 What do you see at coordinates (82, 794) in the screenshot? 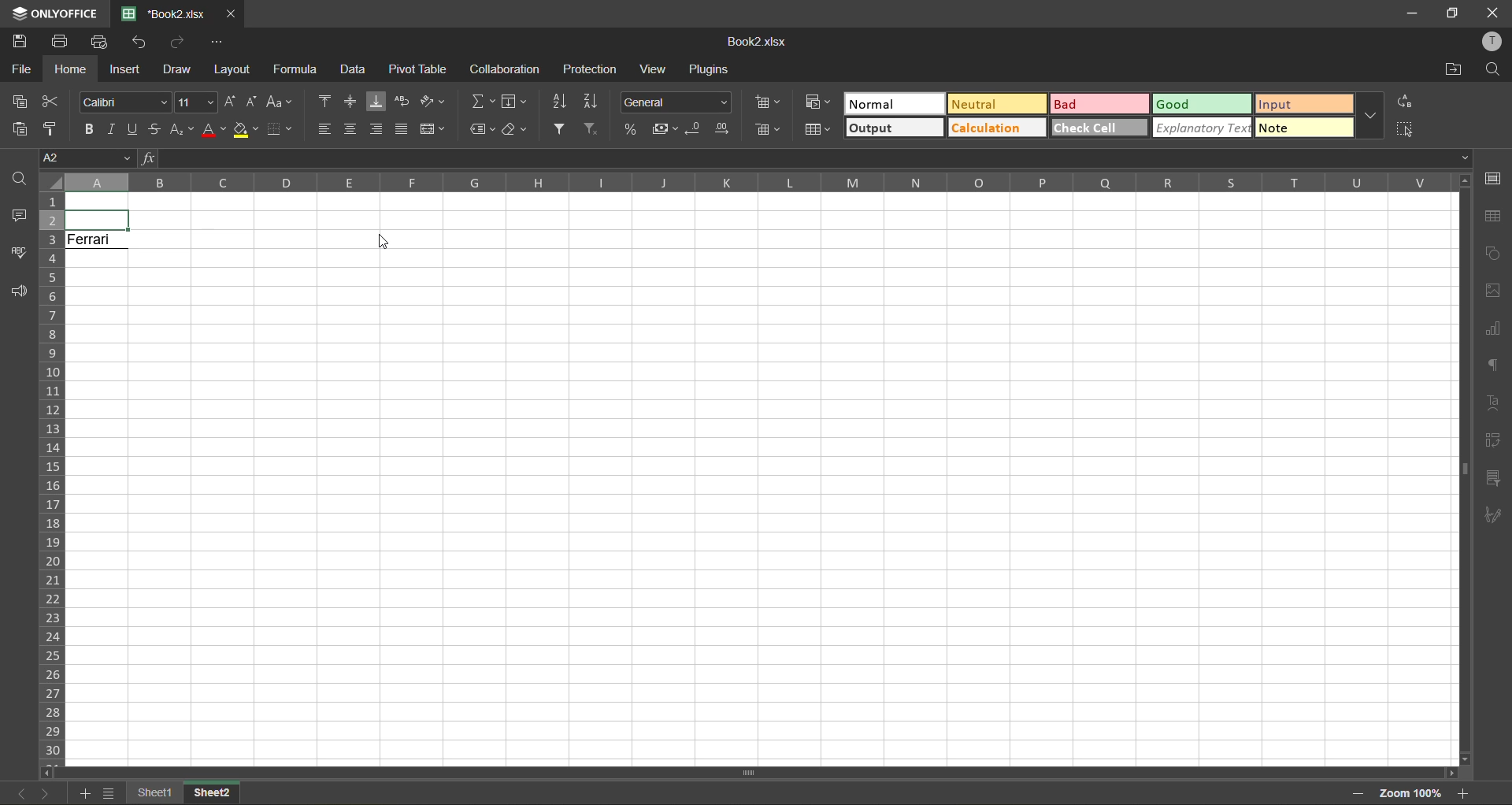
I see `add sheet` at bounding box center [82, 794].